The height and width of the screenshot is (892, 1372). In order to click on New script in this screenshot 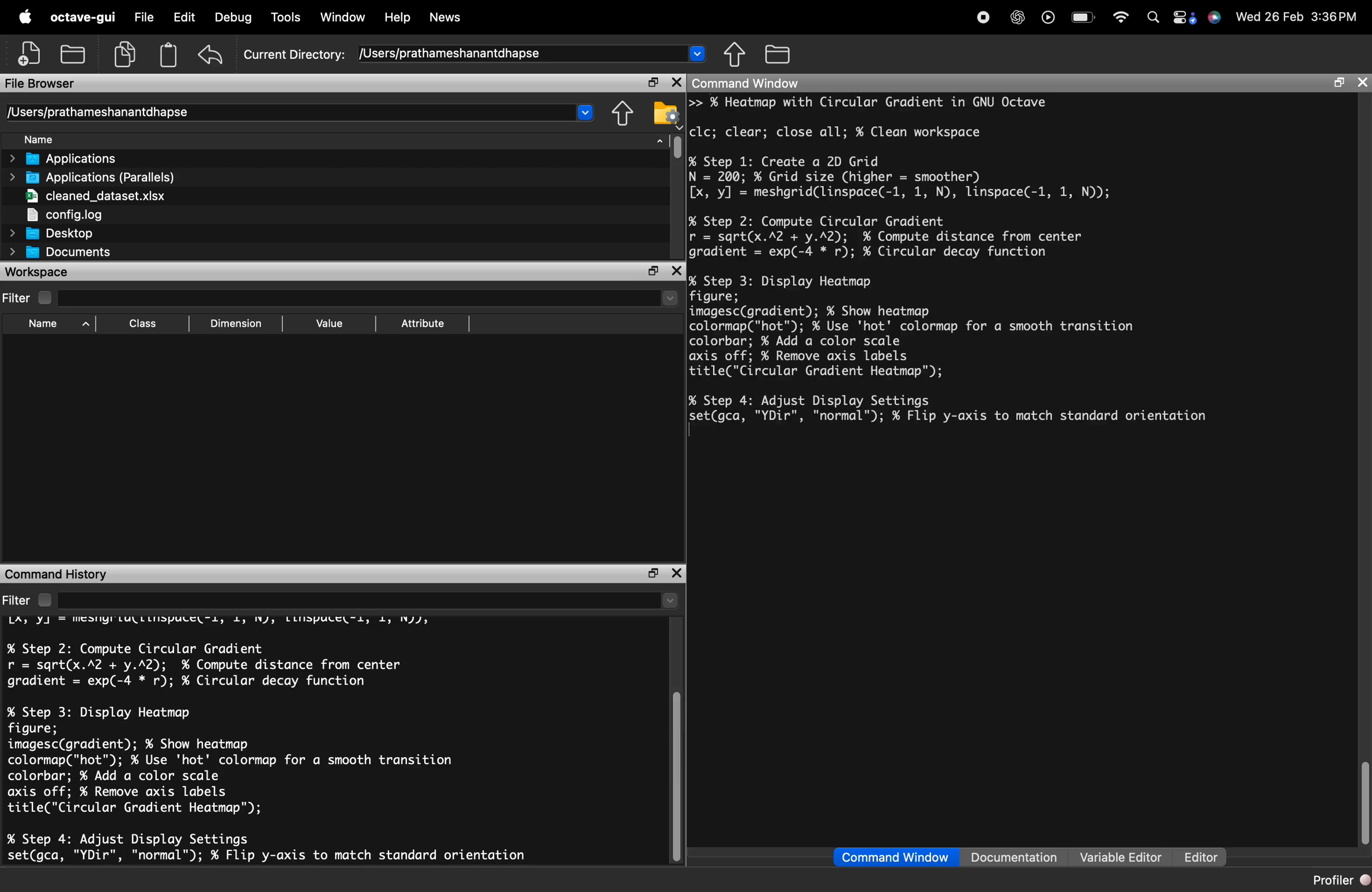, I will do `click(28, 52)`.